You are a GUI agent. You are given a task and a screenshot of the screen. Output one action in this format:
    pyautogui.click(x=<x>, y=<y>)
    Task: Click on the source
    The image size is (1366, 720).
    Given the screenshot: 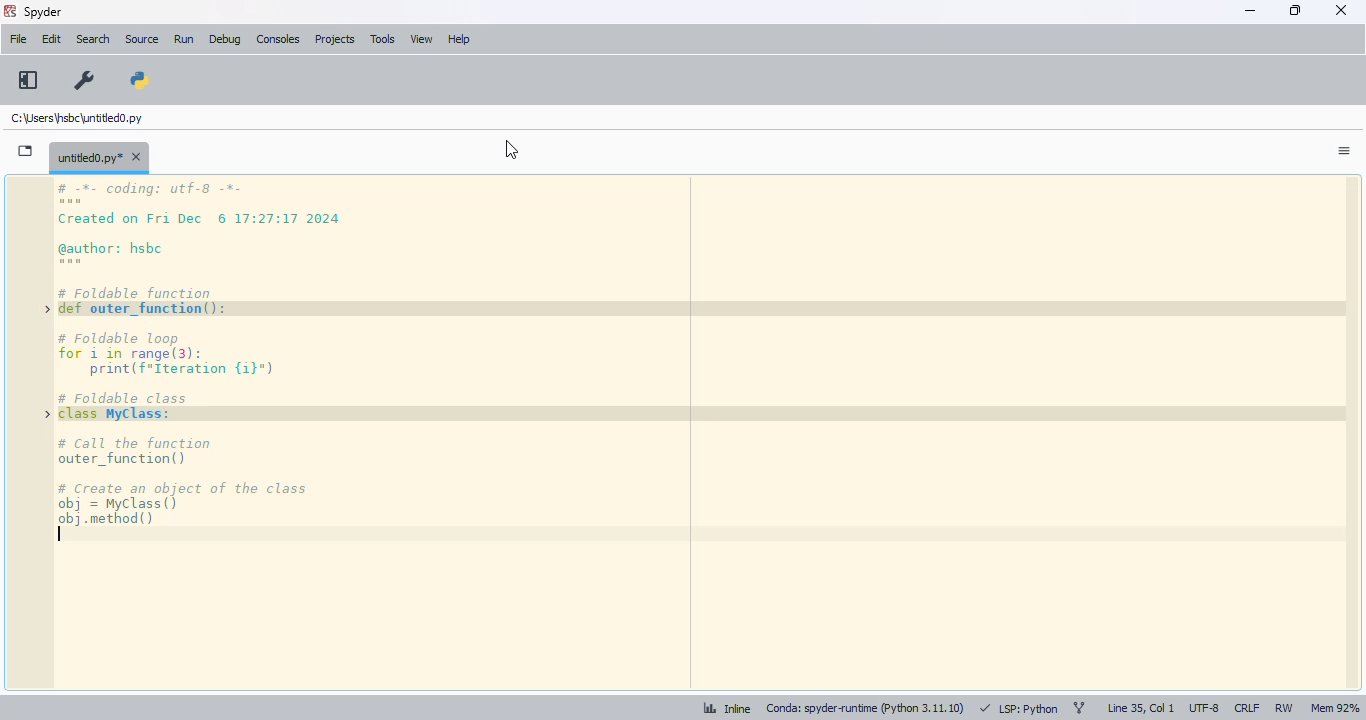 What is the action you would take?
    pyautogui.click(x=142, y=39)
    